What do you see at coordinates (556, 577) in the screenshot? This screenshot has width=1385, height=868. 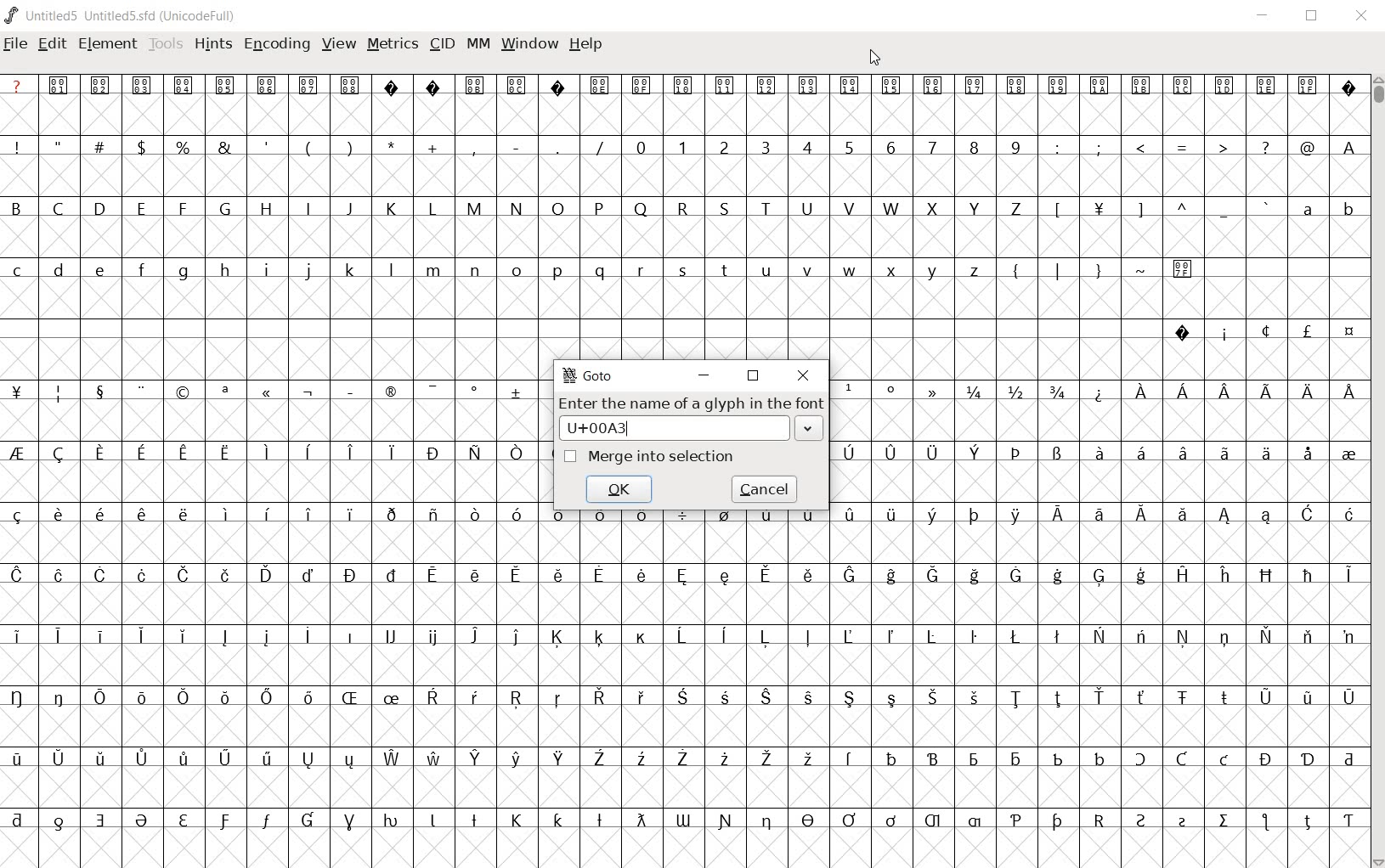 I see `Symbol` at bounding box center [556, 577].